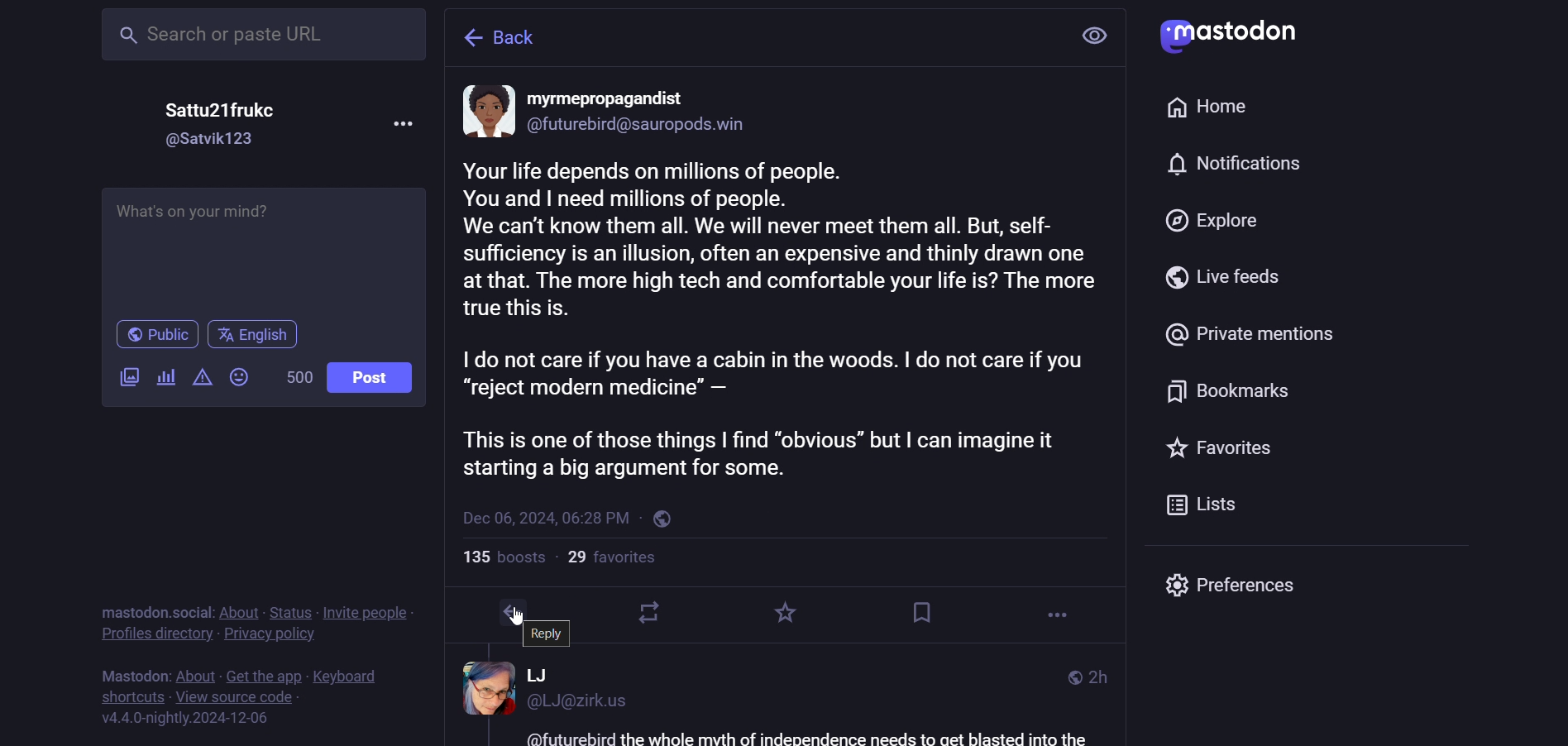 This screenshot has width=1568, height=746. What do you see at coordinates (152, 611) in the screenshot?
I see `mastodon social` at bounding box center [152, 611].